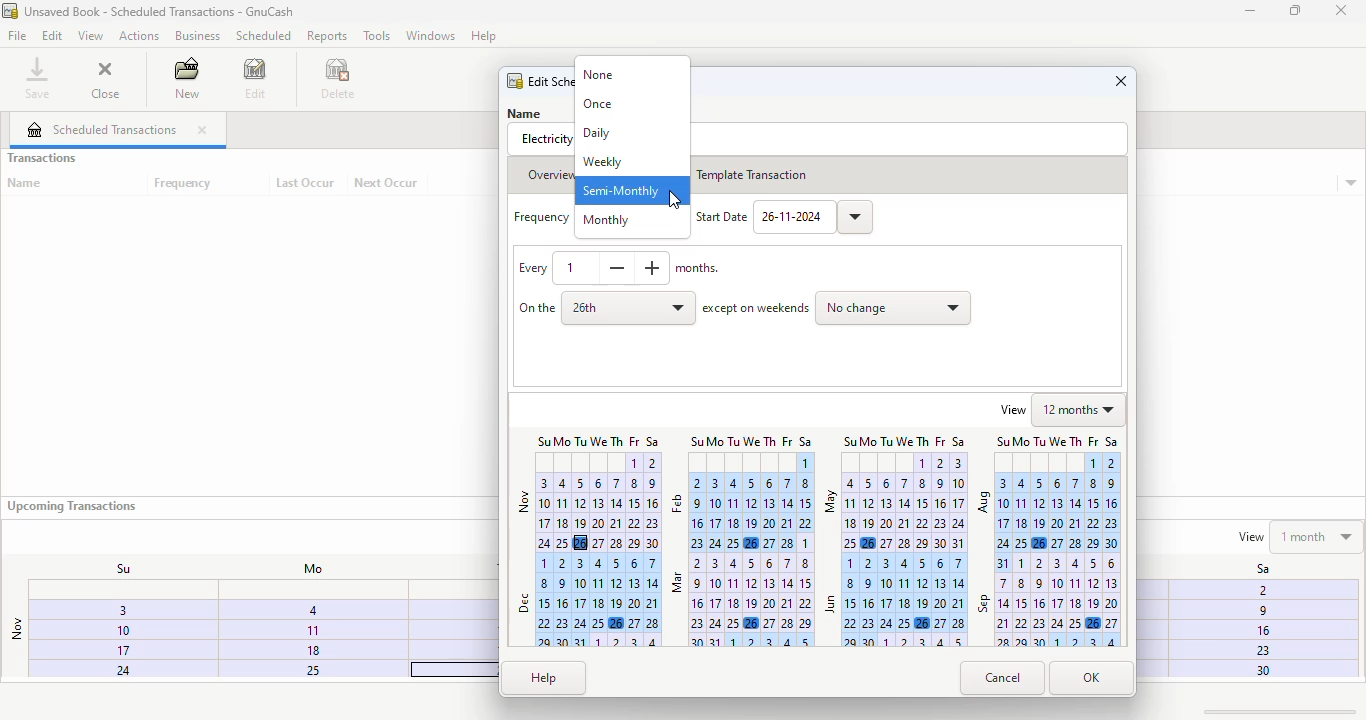 This screenshot has height=720, width=1366. What do you see at coordinates (104, 652) in the screenshot?
I see `17` at bounding box center [104, 652].